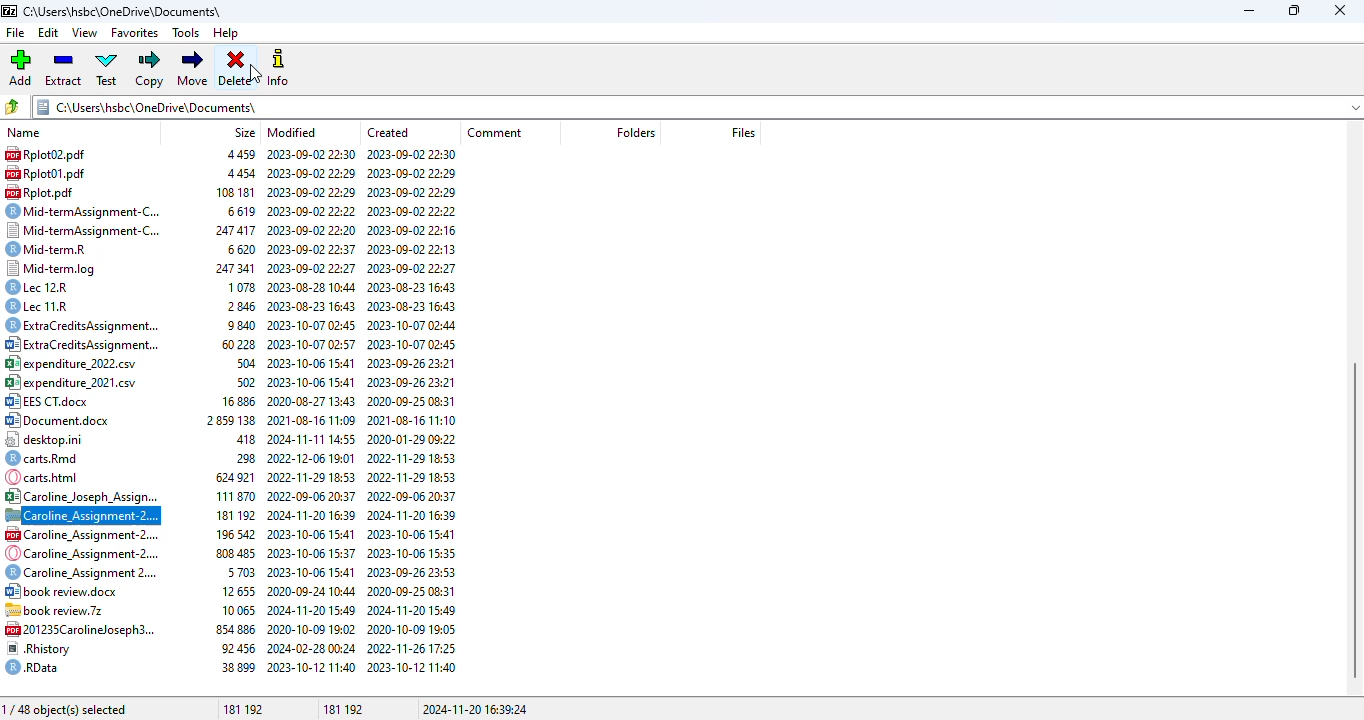  Describe the element at coordinates (415, 208) in the screenshot. I see `2023-00-02 22:27` at that location.